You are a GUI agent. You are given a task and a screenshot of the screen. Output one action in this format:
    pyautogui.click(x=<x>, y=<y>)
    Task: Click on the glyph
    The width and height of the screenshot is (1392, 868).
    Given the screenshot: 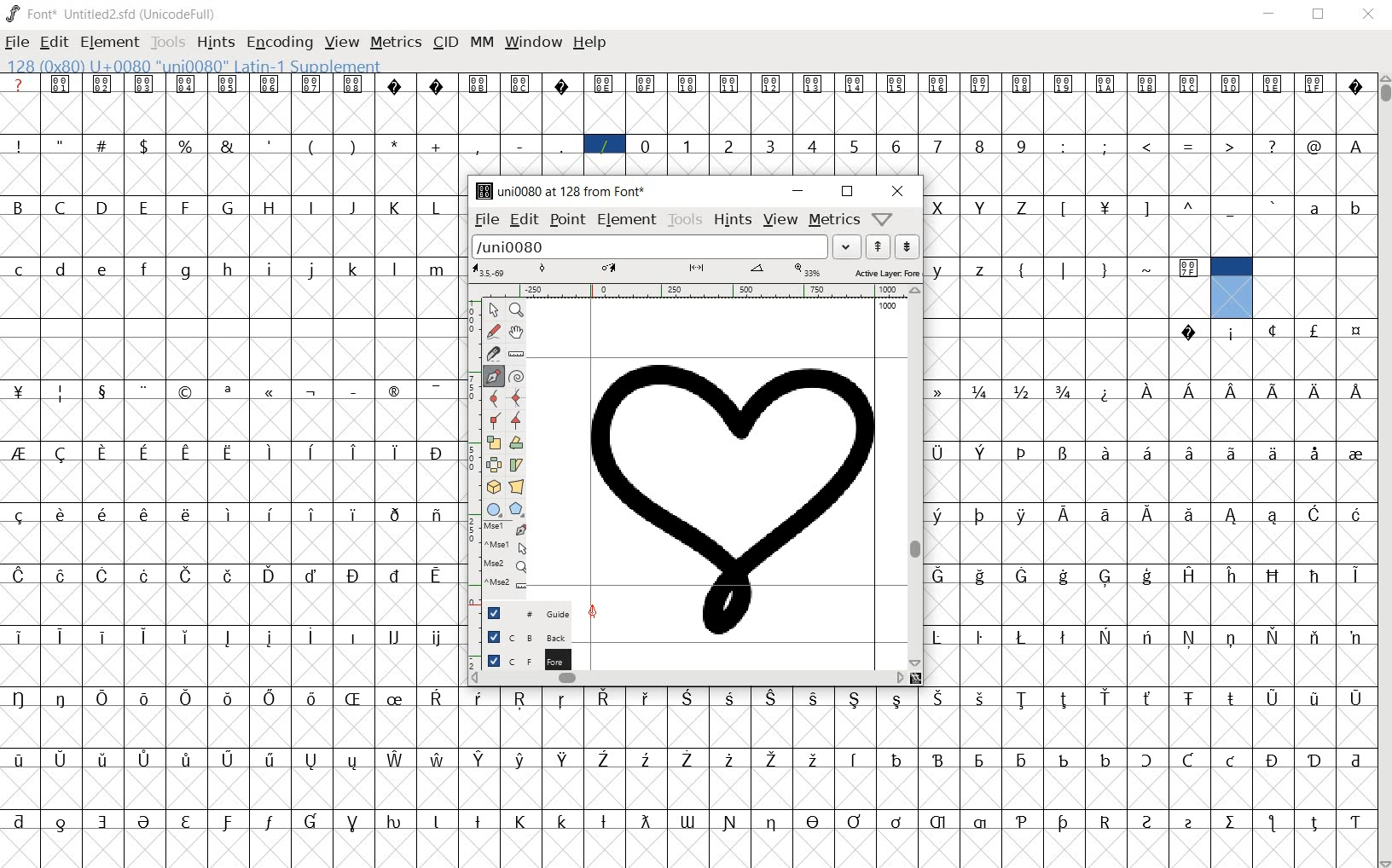 What is the action you would take?
    pyautogui.click(x=17, y=206)
    